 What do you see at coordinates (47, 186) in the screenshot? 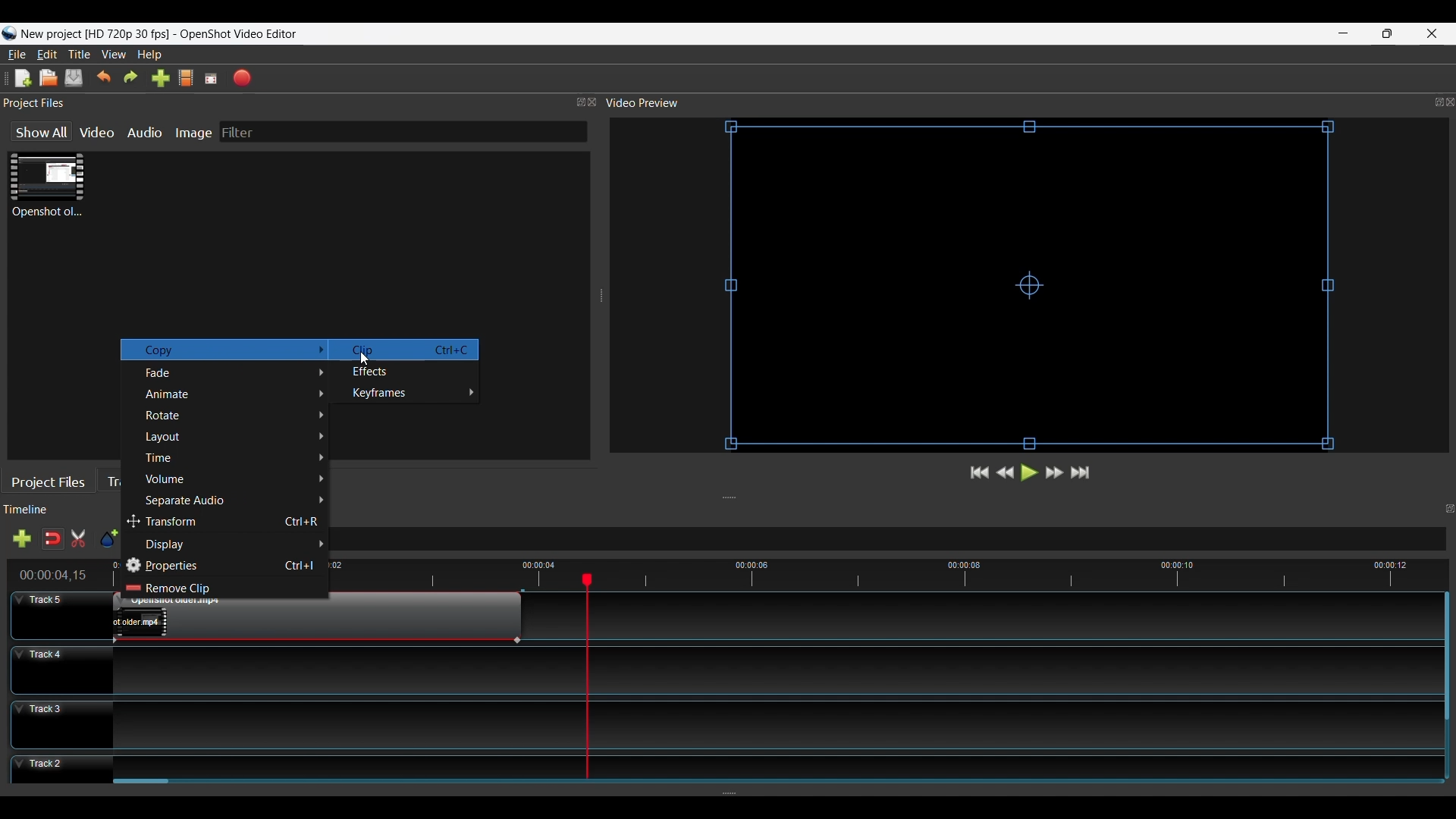
I see `Clip` at bounding box center [47, 186].